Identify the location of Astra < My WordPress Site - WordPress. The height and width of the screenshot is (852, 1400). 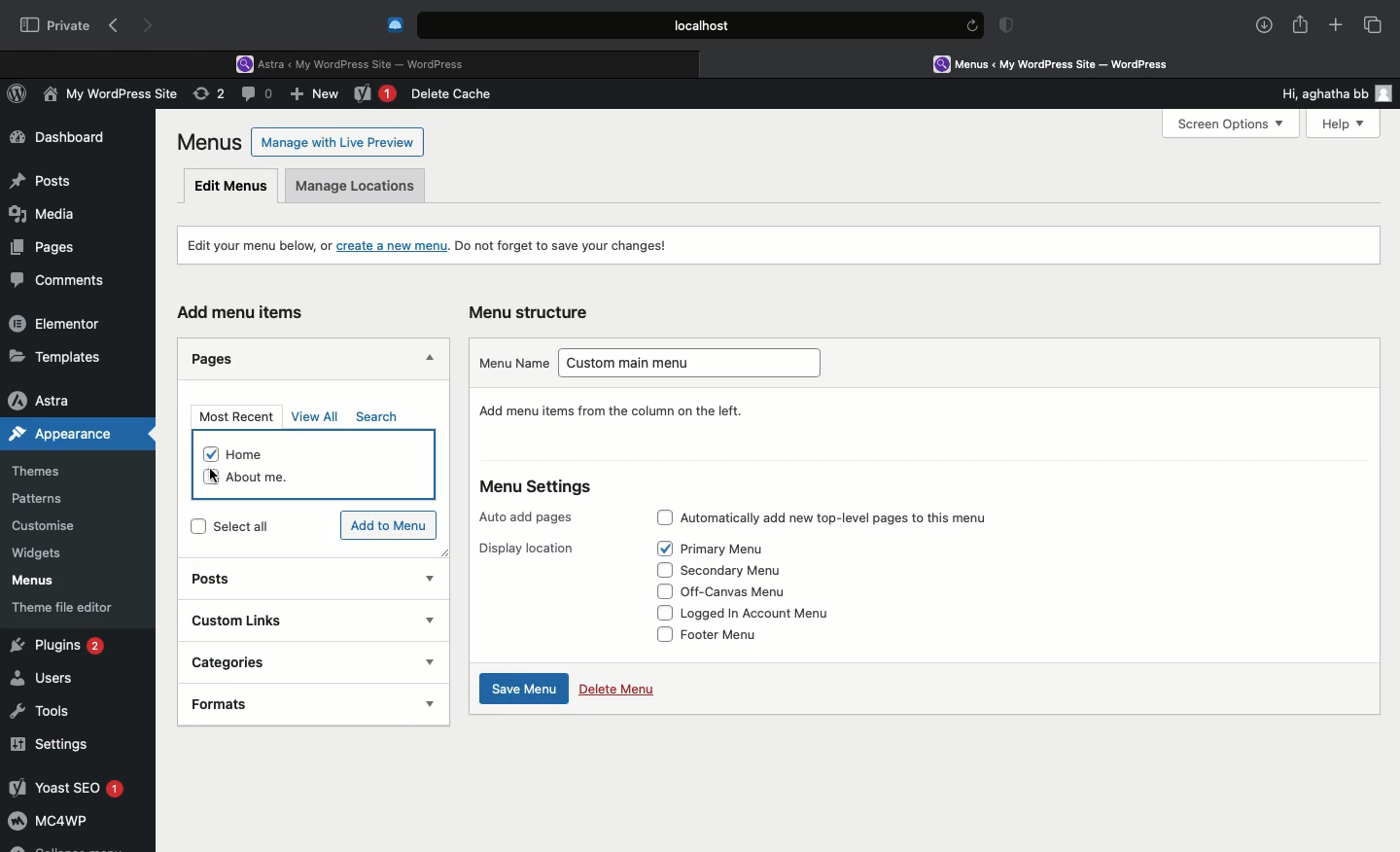
(357, 62).